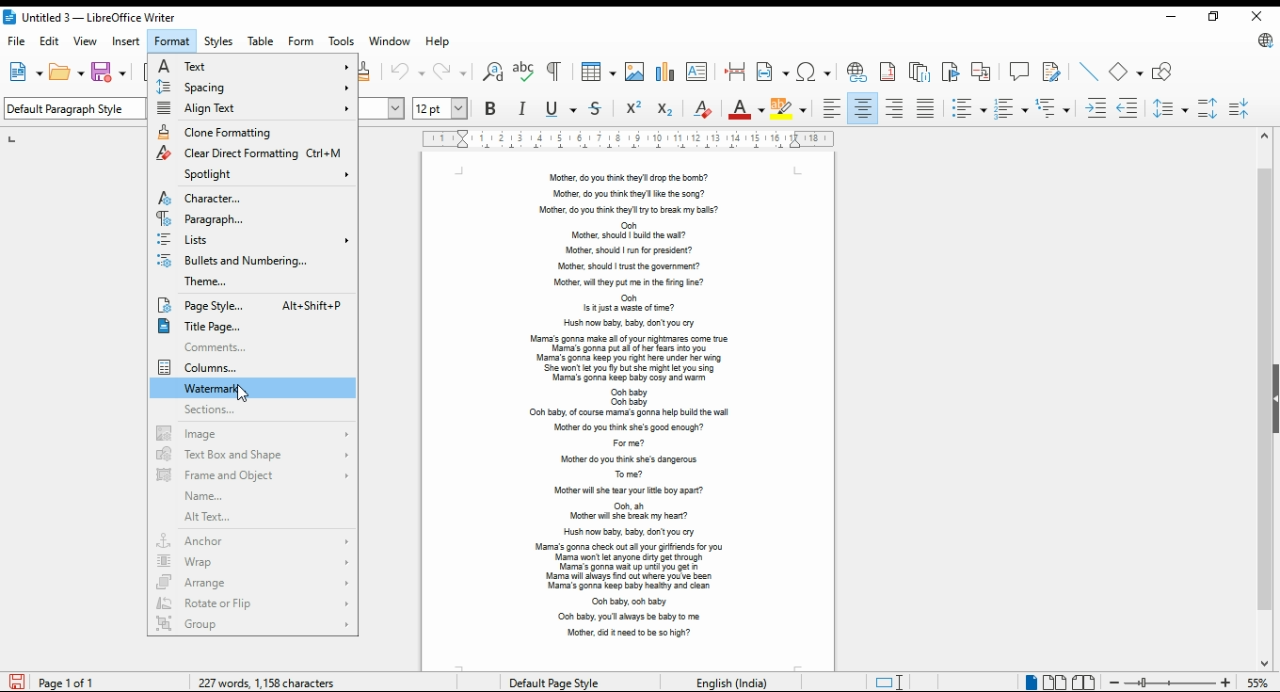  Describe the element at coordinates (1010, 109) in the screenshot. I see `toggle ordered list` at that location.